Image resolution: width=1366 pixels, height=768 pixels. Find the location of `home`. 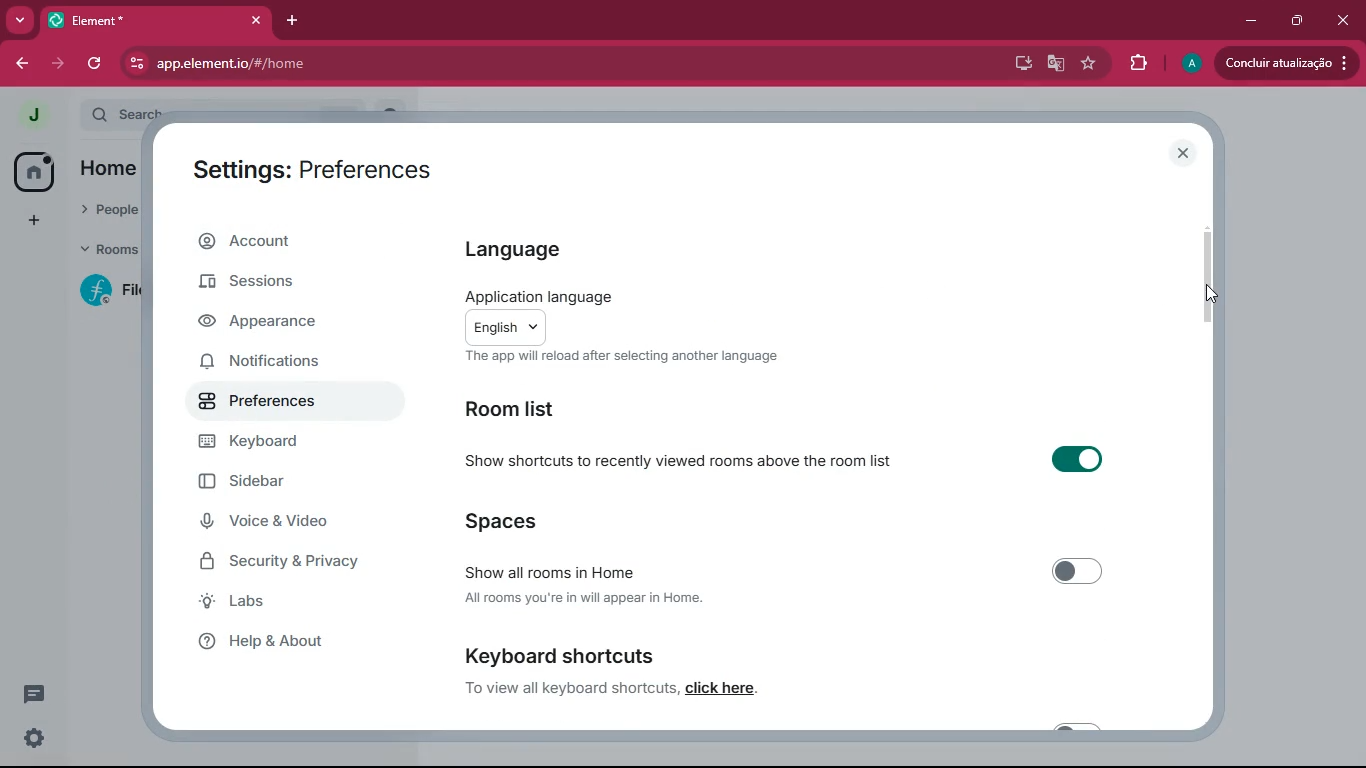

home is located at coordinates (31, 172).